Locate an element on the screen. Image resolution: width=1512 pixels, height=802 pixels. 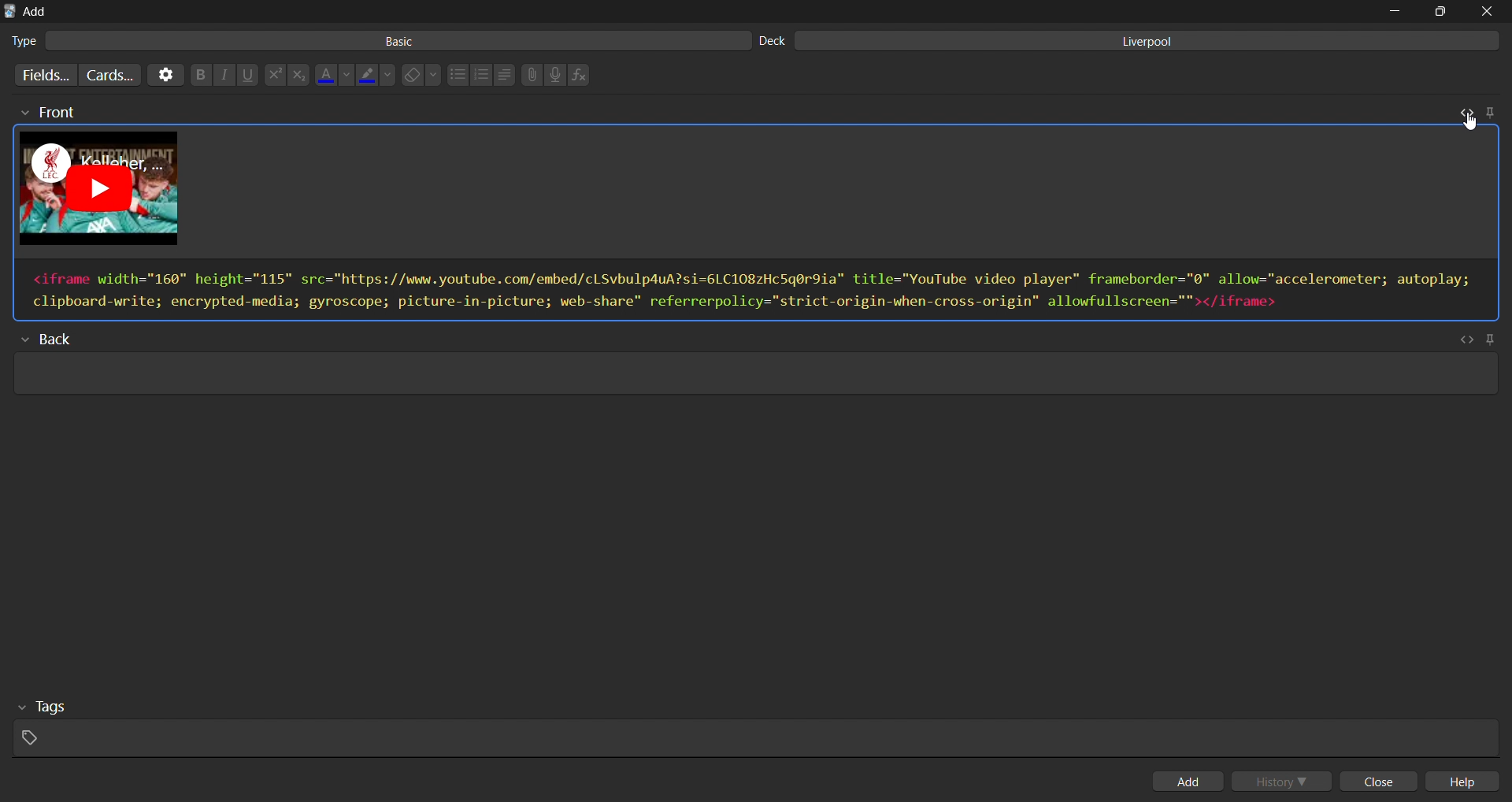
font color is located at coordinates (335, 72).